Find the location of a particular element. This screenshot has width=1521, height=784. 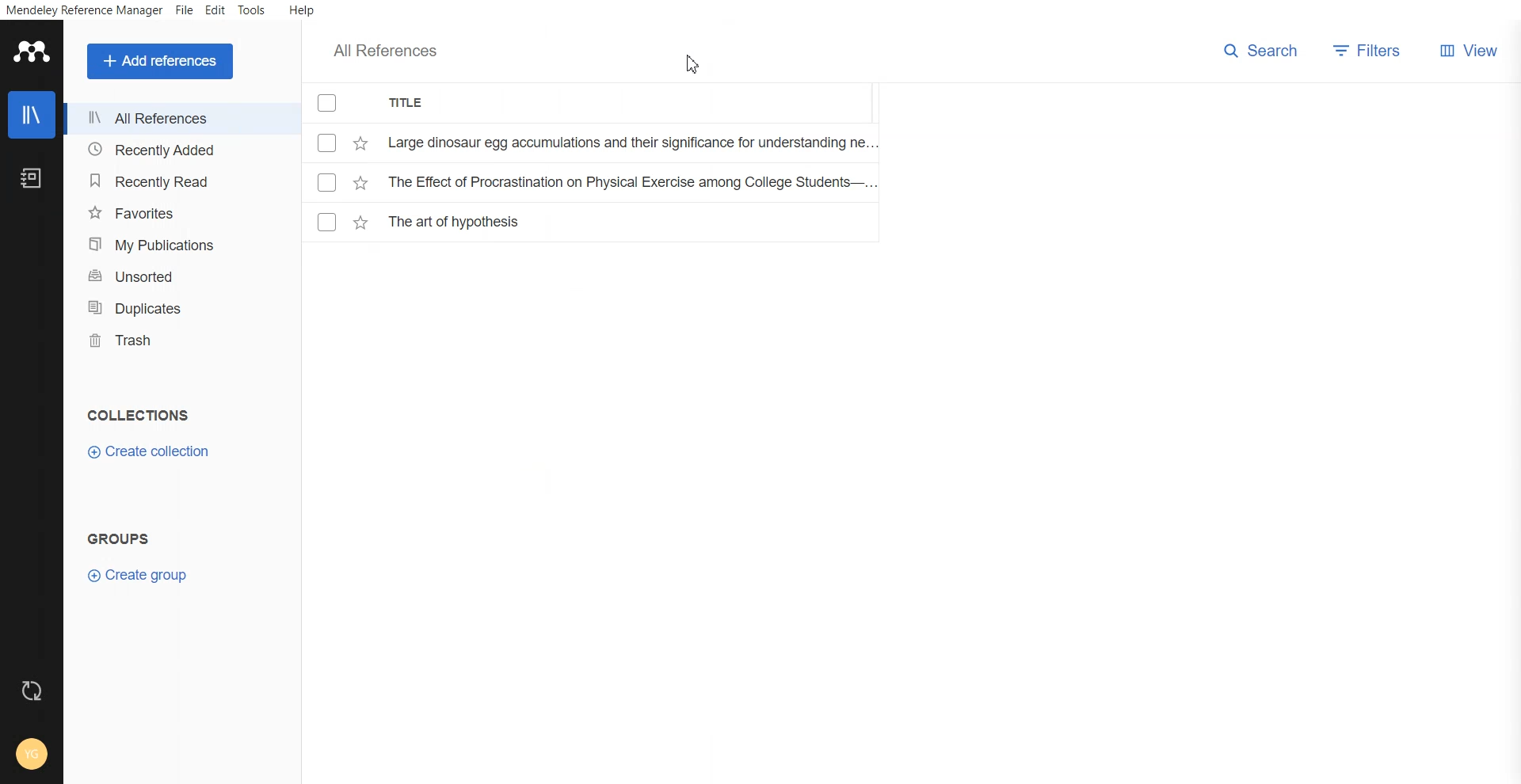

Favorites is located at coordinates (169, 214).